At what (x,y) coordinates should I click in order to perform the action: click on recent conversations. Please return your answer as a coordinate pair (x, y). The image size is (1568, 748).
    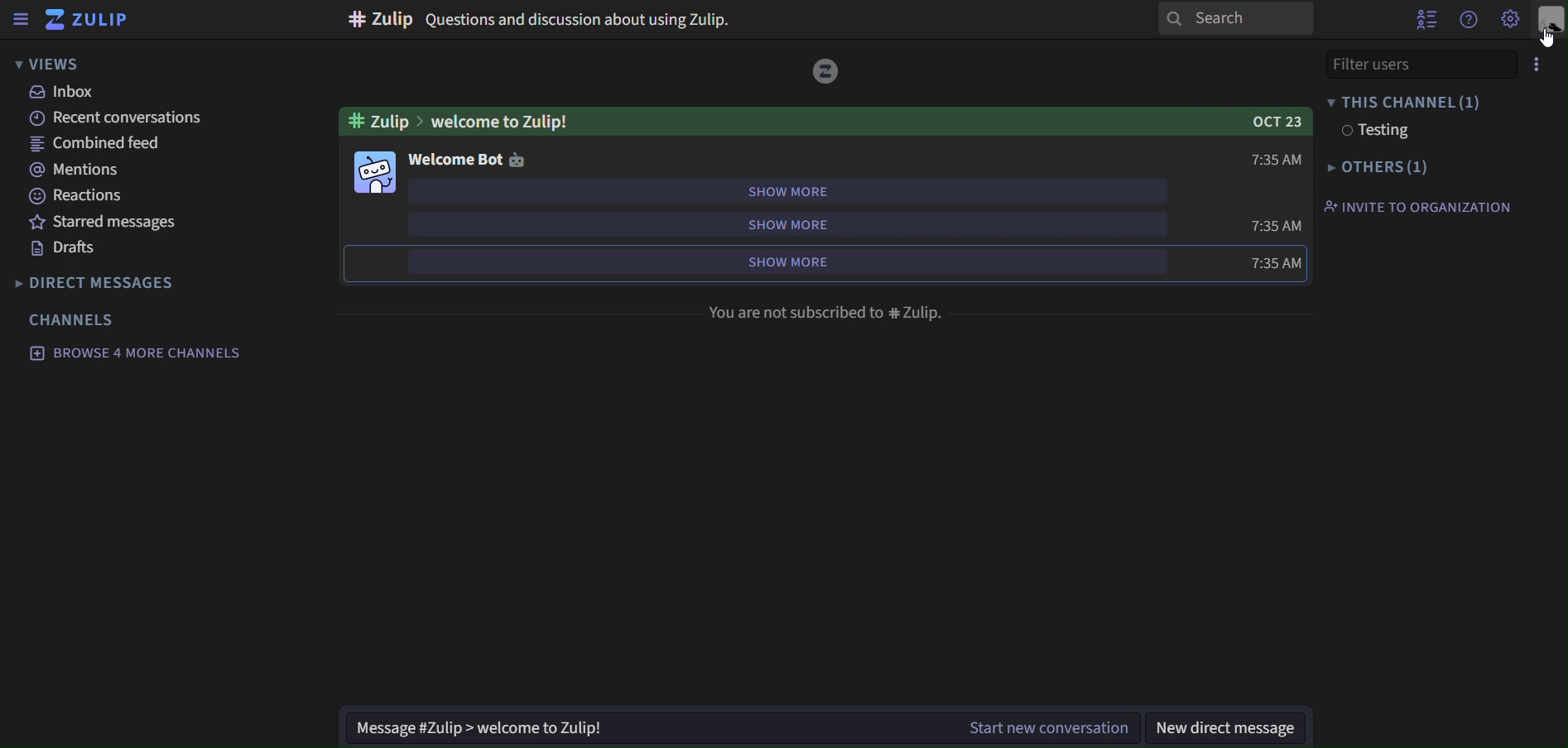
    Looking at the image, I should click on (118, 119).